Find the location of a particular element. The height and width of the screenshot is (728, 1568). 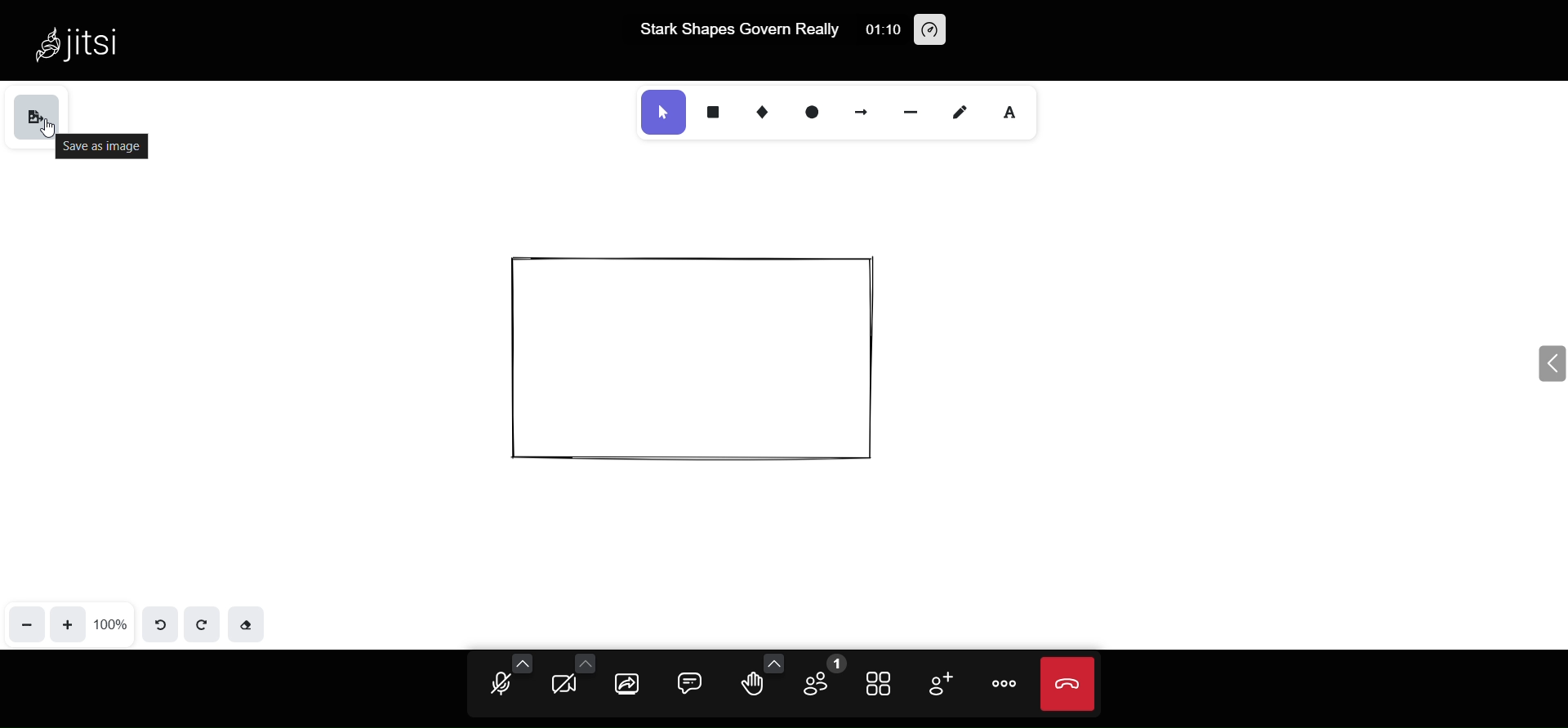

chat is located at coordinates (692, 683).